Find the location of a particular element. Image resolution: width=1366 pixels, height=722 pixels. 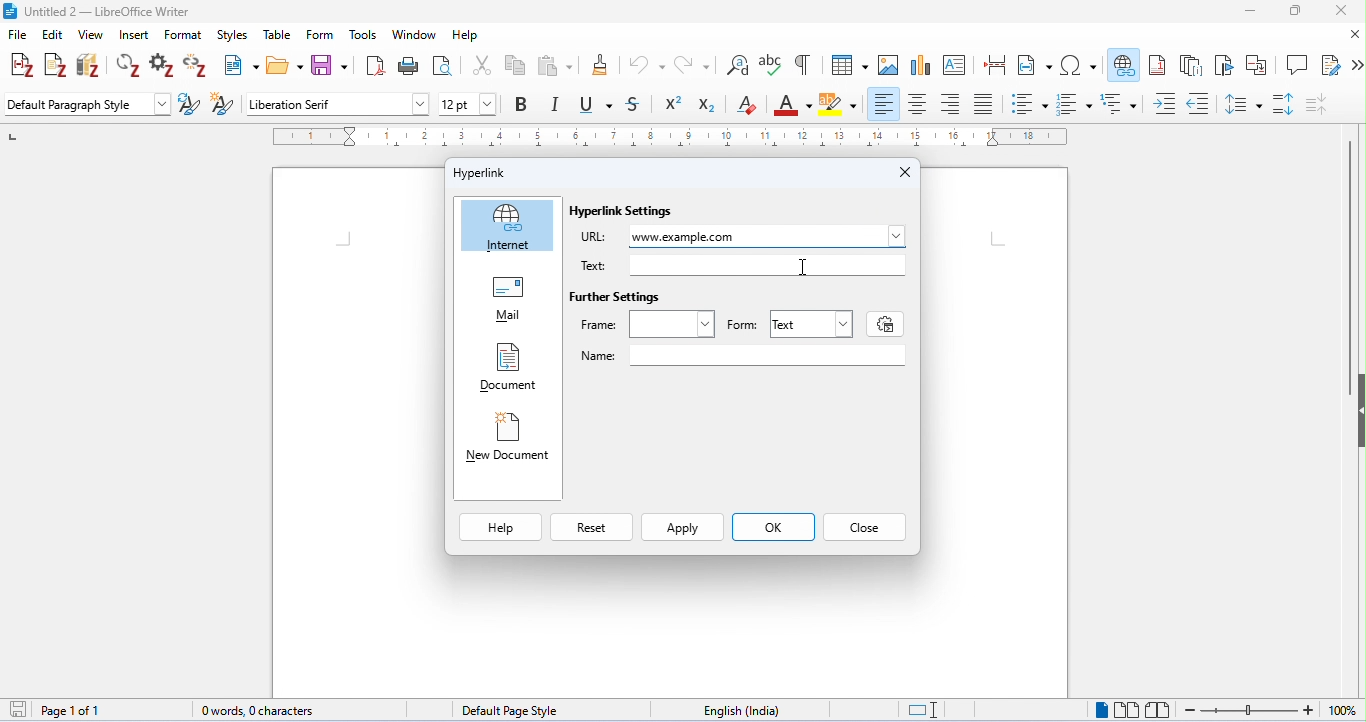

Internet is located at coordinates (509, 224).